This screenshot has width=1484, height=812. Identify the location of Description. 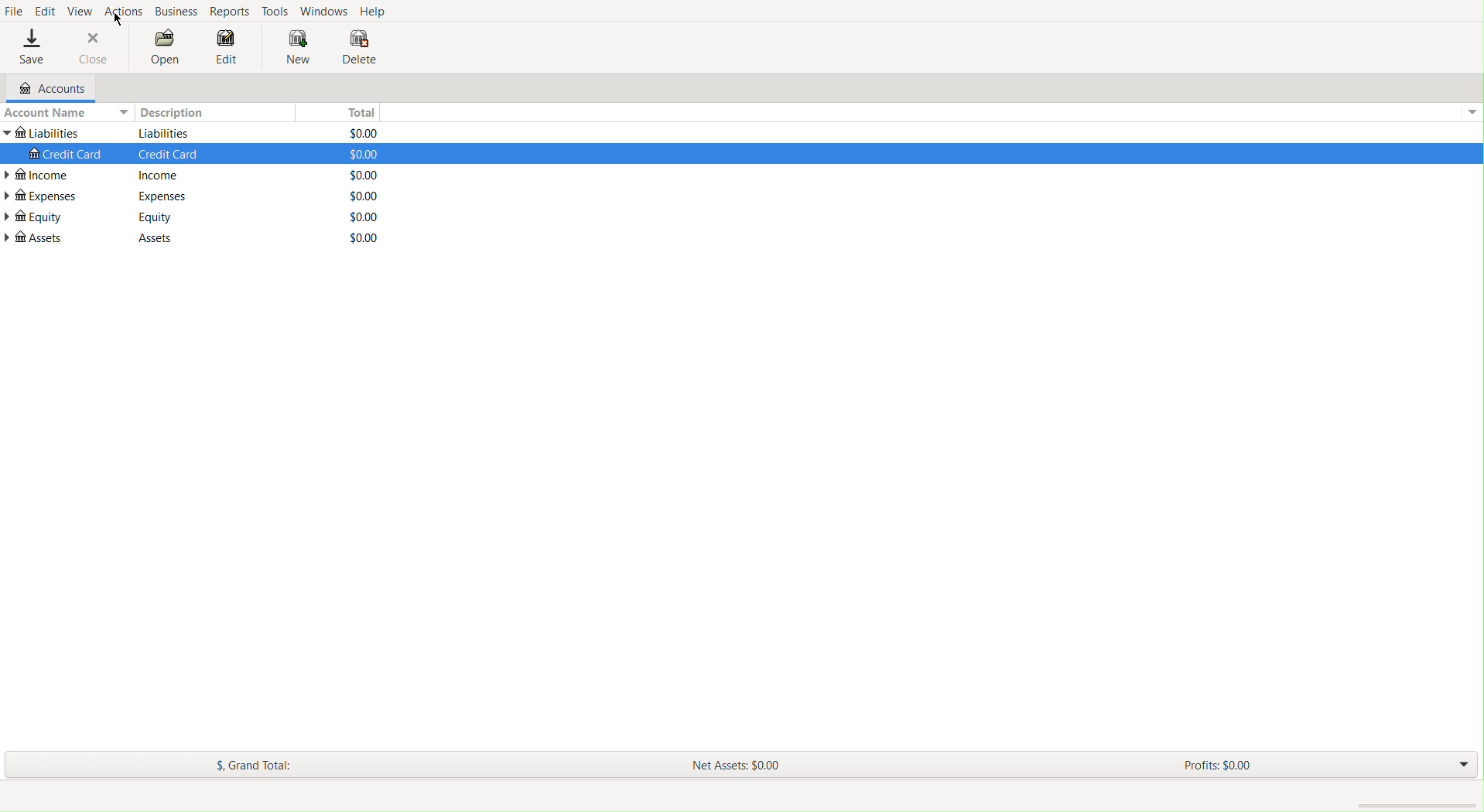
(216, 114).